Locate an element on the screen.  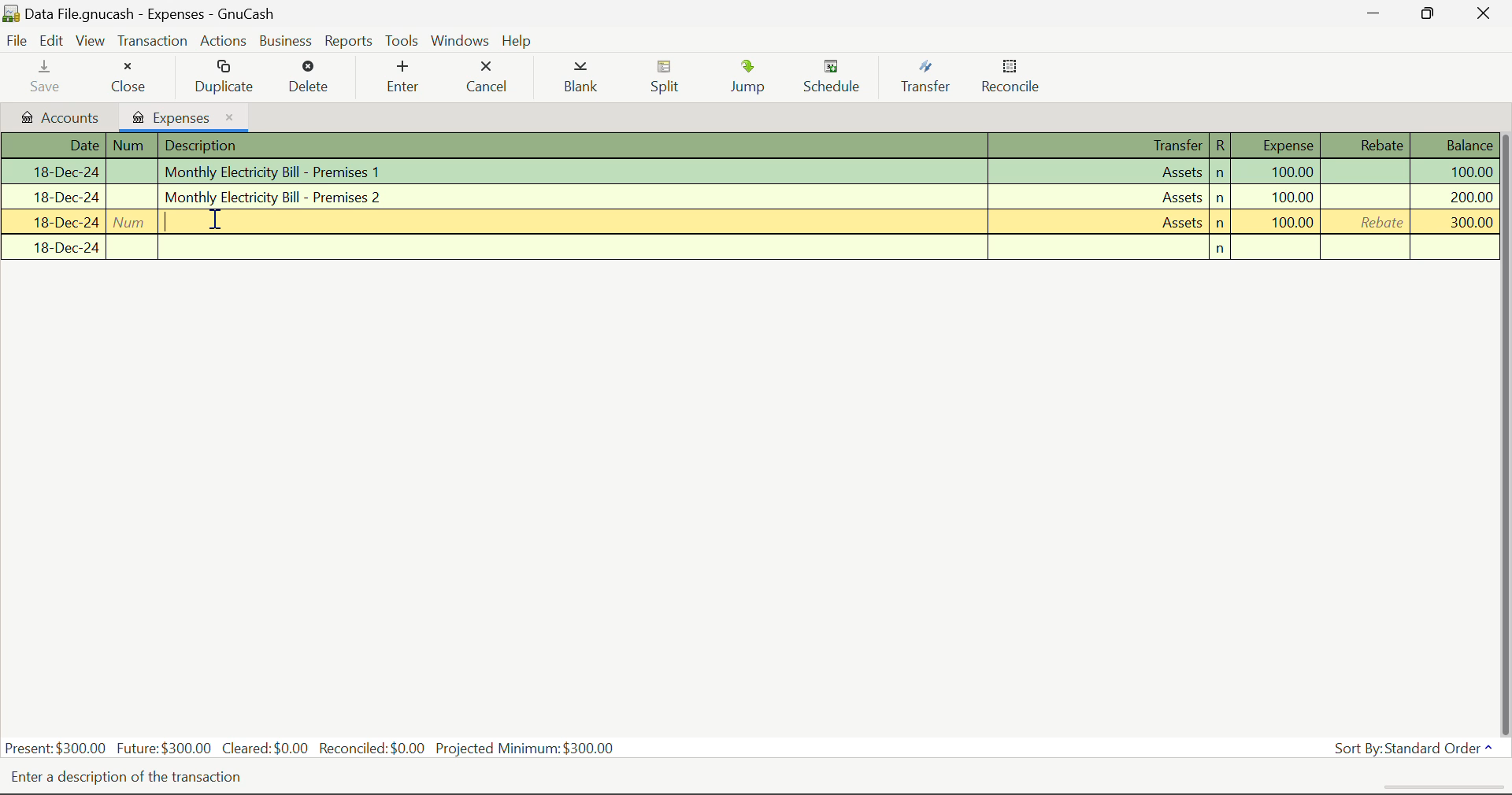
Reports is located at coordinates (348, 42).